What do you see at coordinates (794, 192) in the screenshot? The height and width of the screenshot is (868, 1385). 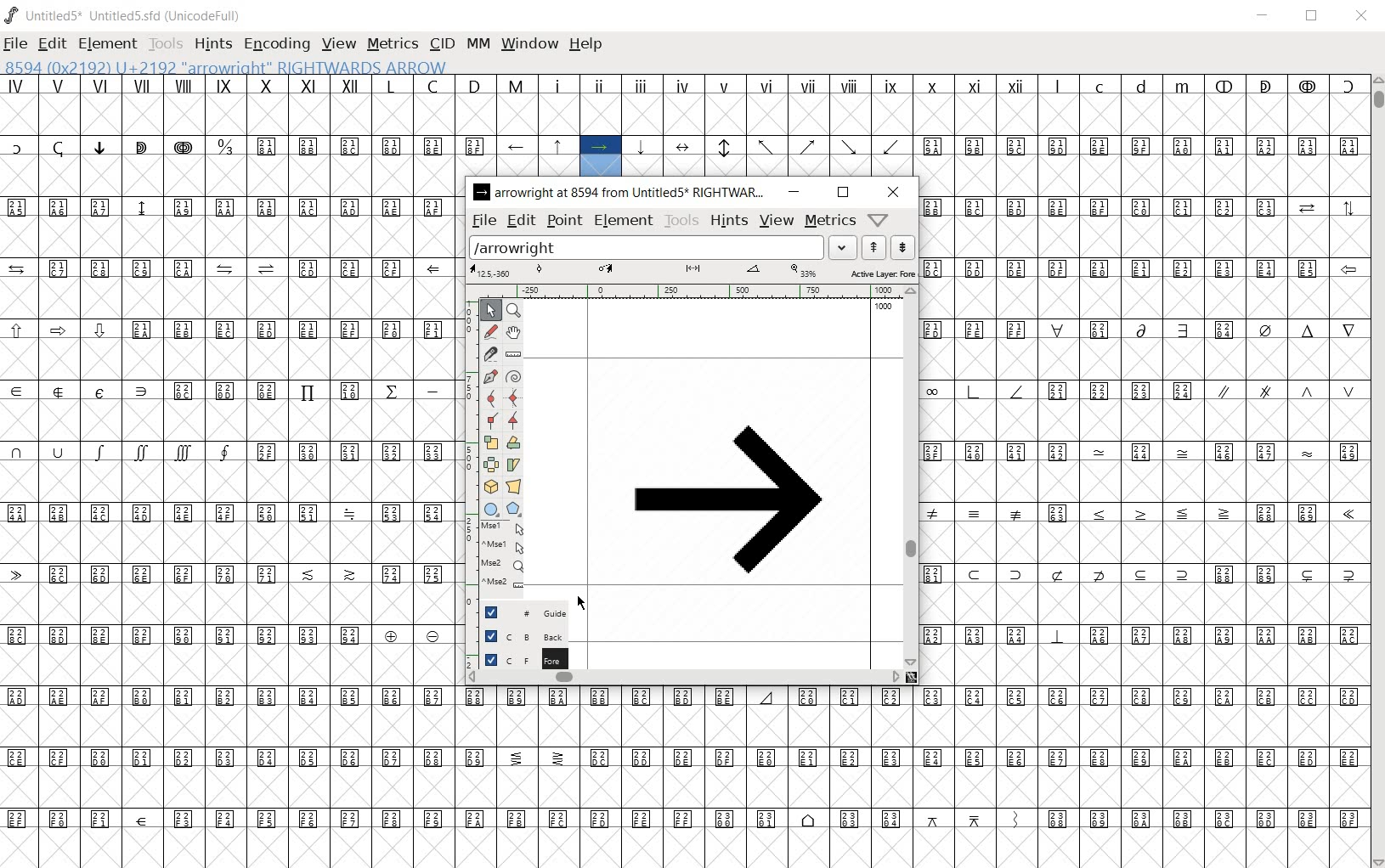 I see `minimize` at bounding box center [794, 192].